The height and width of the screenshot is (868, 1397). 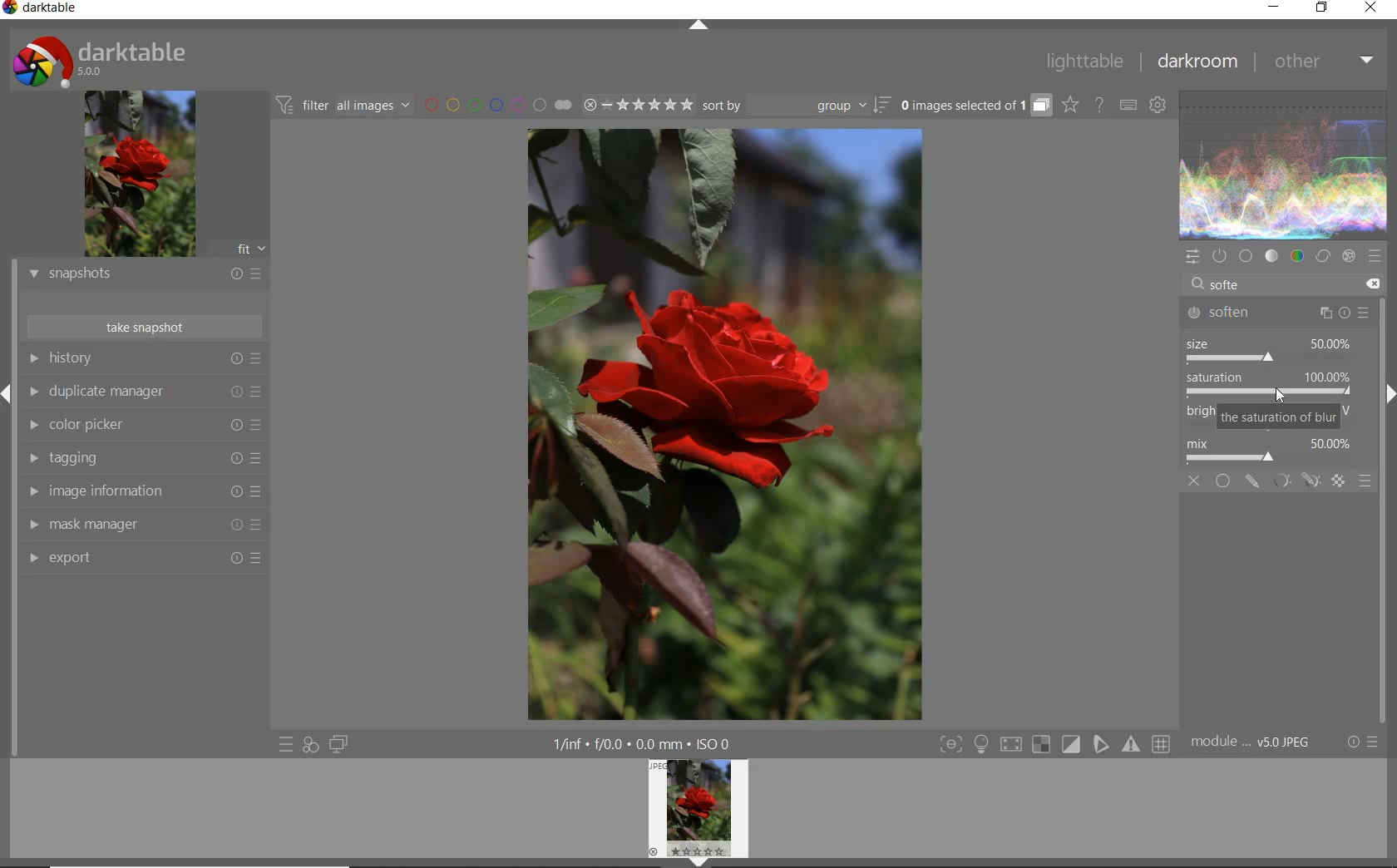 What do you see at coordinates (496, 106) in the screenshot?
I see `filter images by color labels` at bounding box center [496, 106].